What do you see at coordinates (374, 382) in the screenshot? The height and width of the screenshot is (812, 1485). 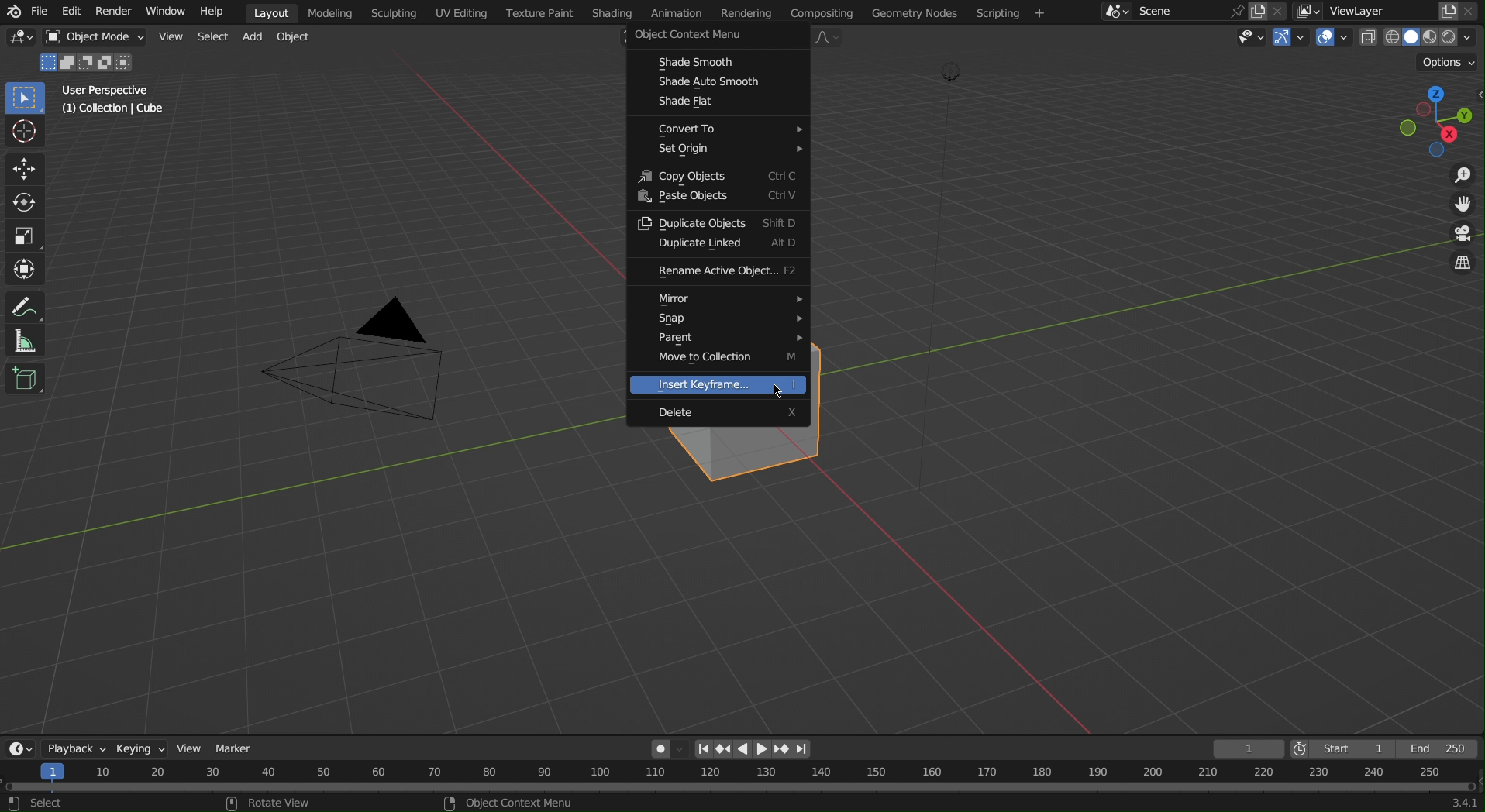 I see `Camera` at bounding box center [374, 382].